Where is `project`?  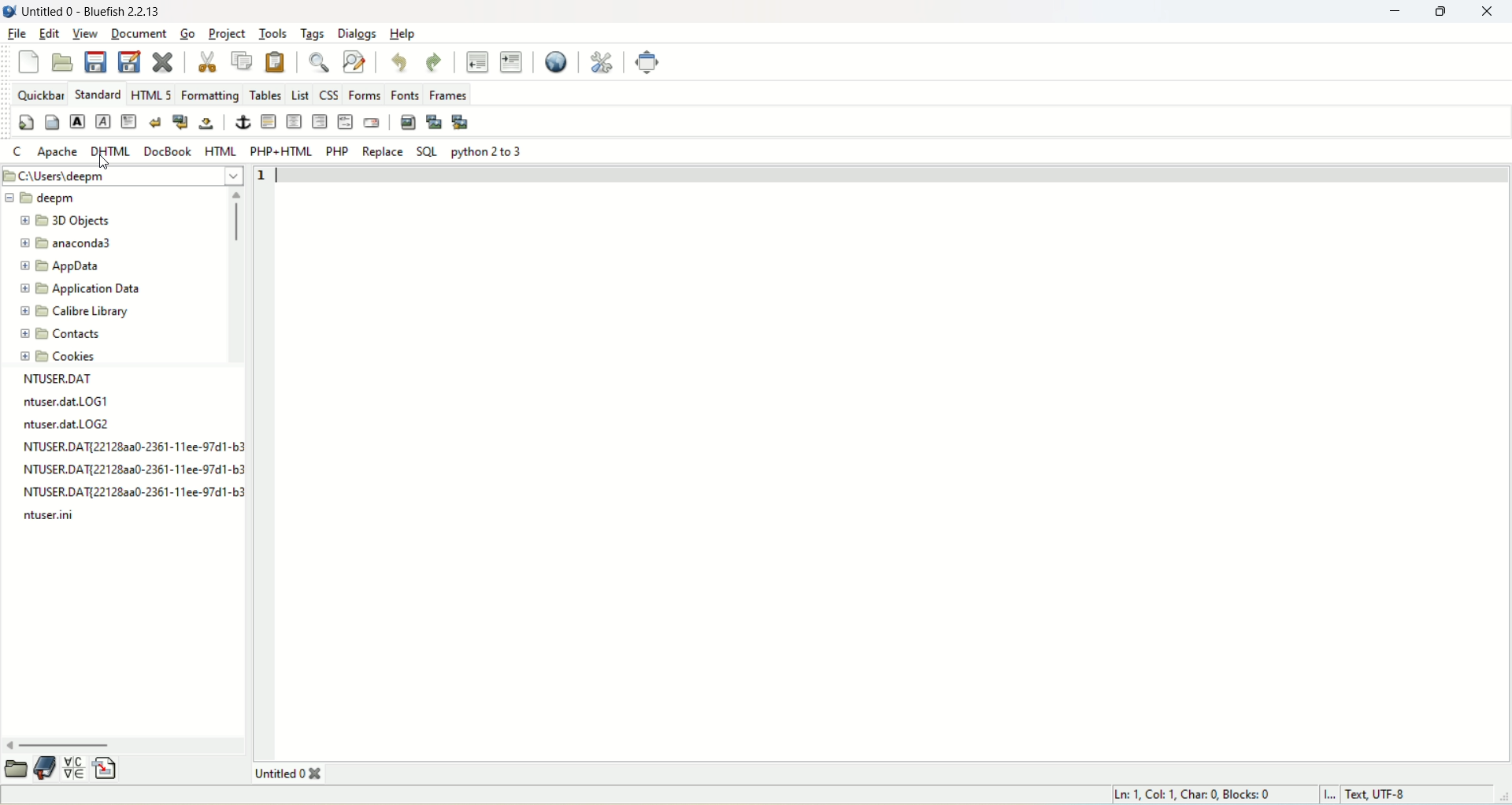 project is located at coordinates (227, 33).